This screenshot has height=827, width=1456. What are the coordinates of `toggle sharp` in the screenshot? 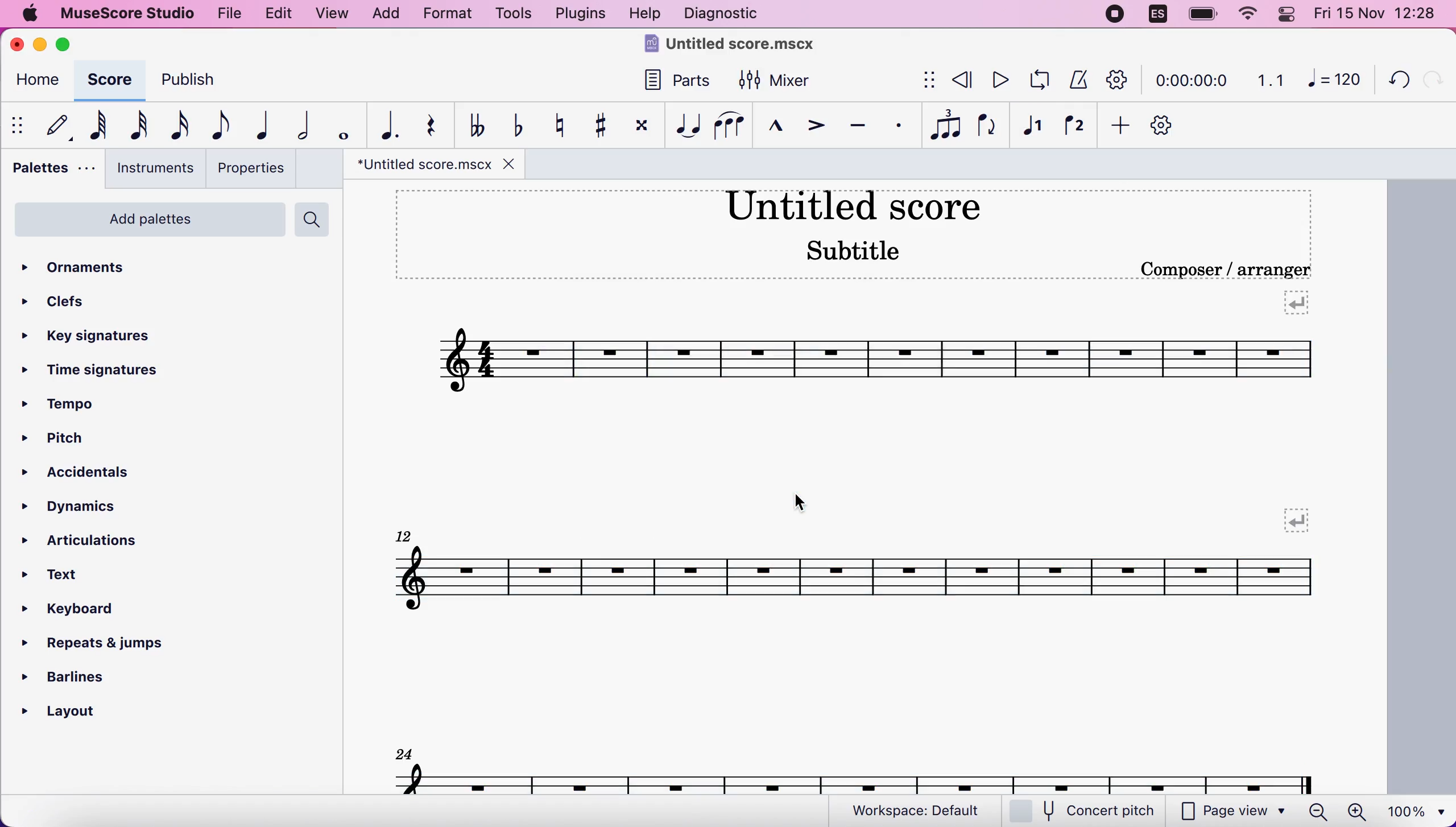 It's located at (599, 126).